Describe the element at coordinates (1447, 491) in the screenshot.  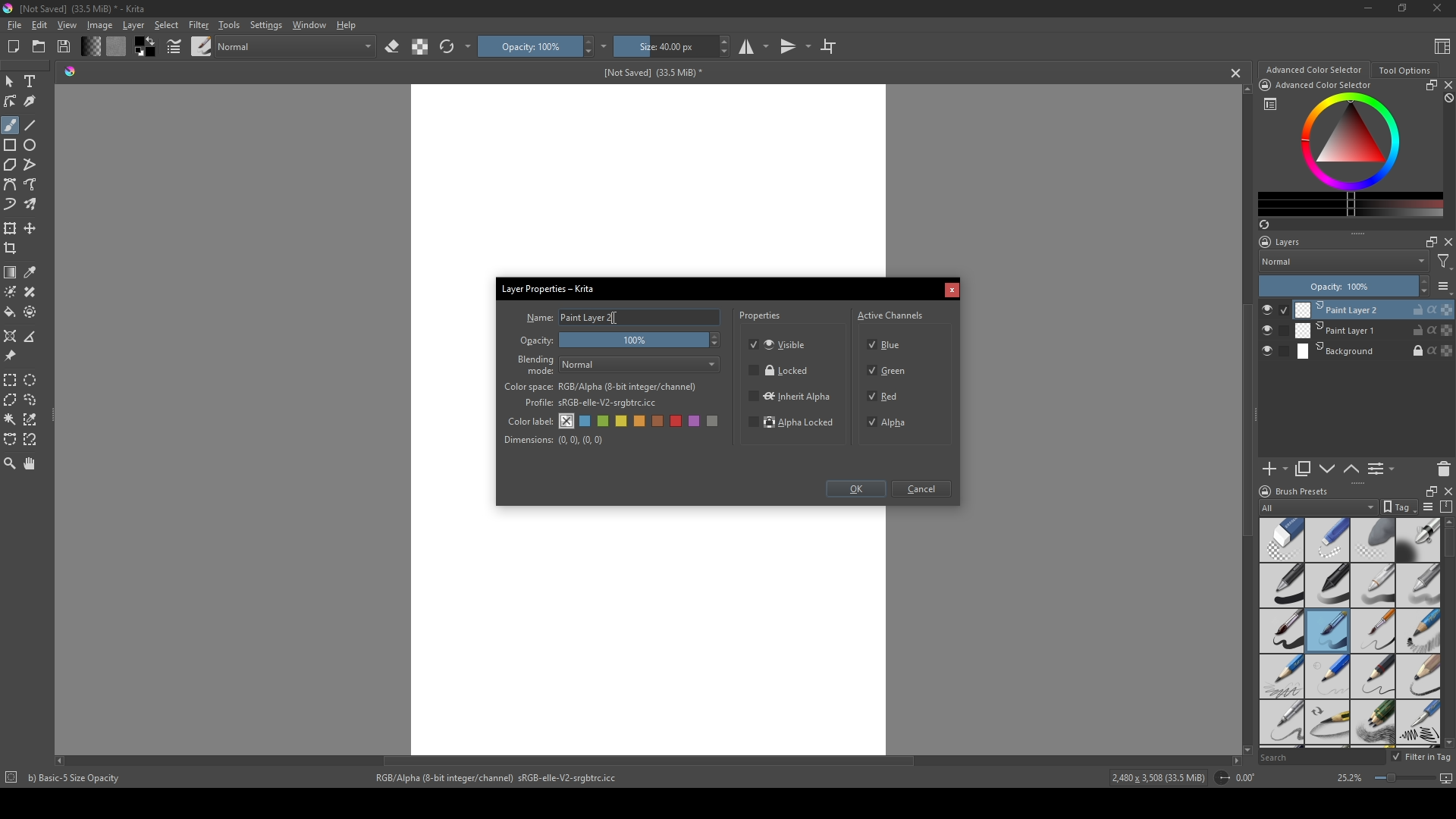
I see `close` at that location.